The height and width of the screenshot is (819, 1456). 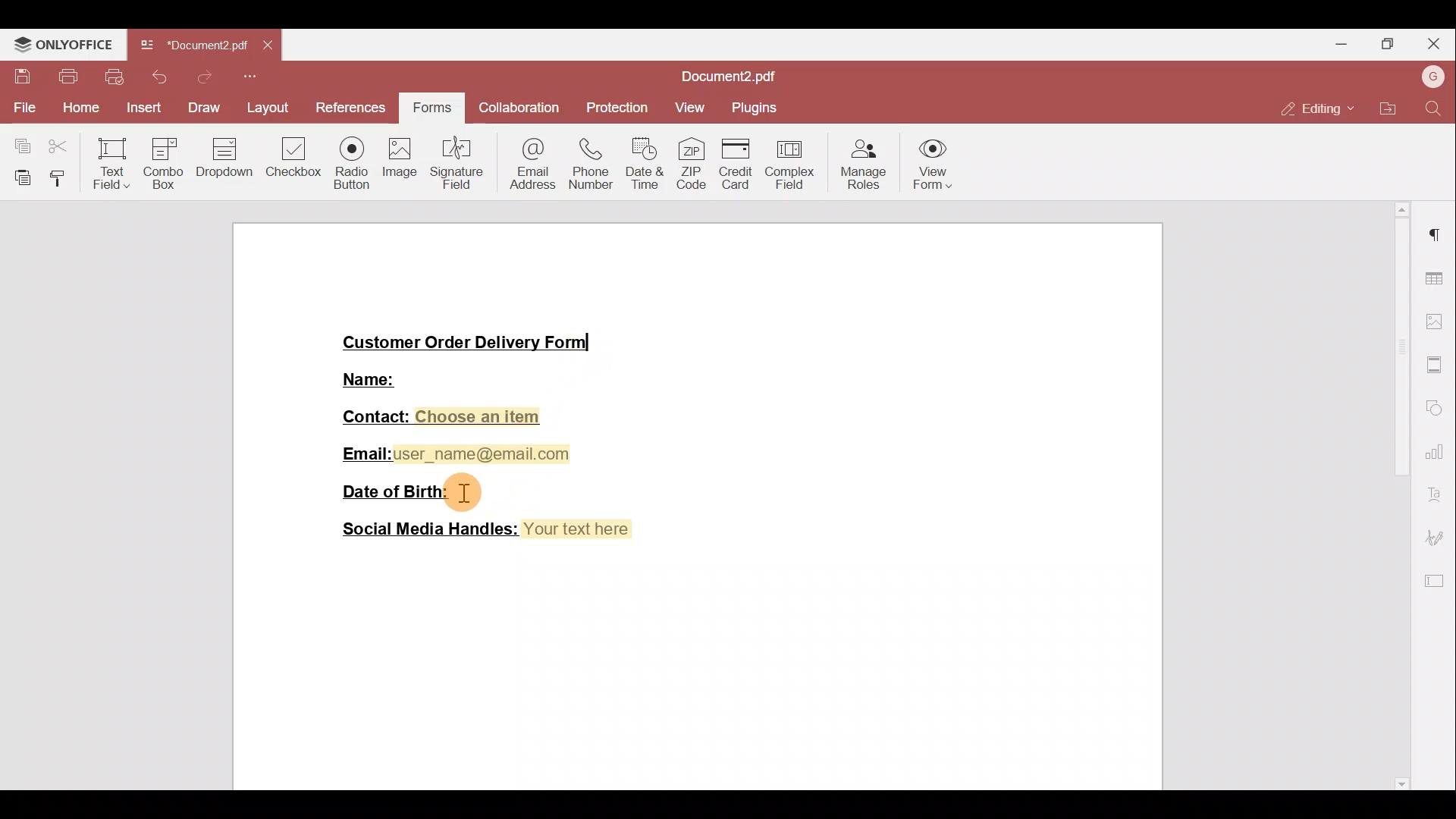 I want to click on Layout, so click(x=269, y=111).